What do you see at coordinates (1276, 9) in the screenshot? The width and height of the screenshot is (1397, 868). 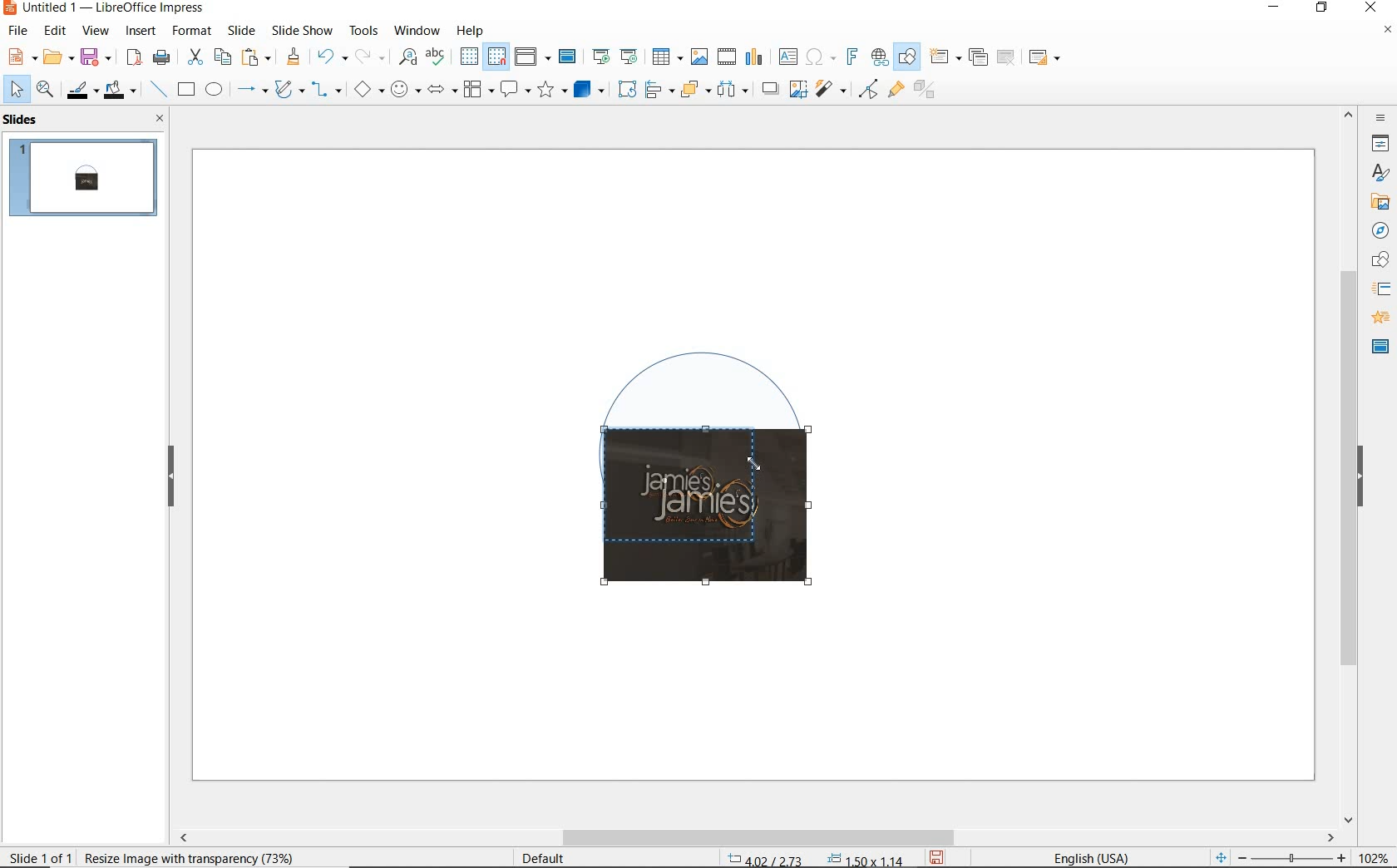 I see `minimize` at bounding box center [1276, 9].